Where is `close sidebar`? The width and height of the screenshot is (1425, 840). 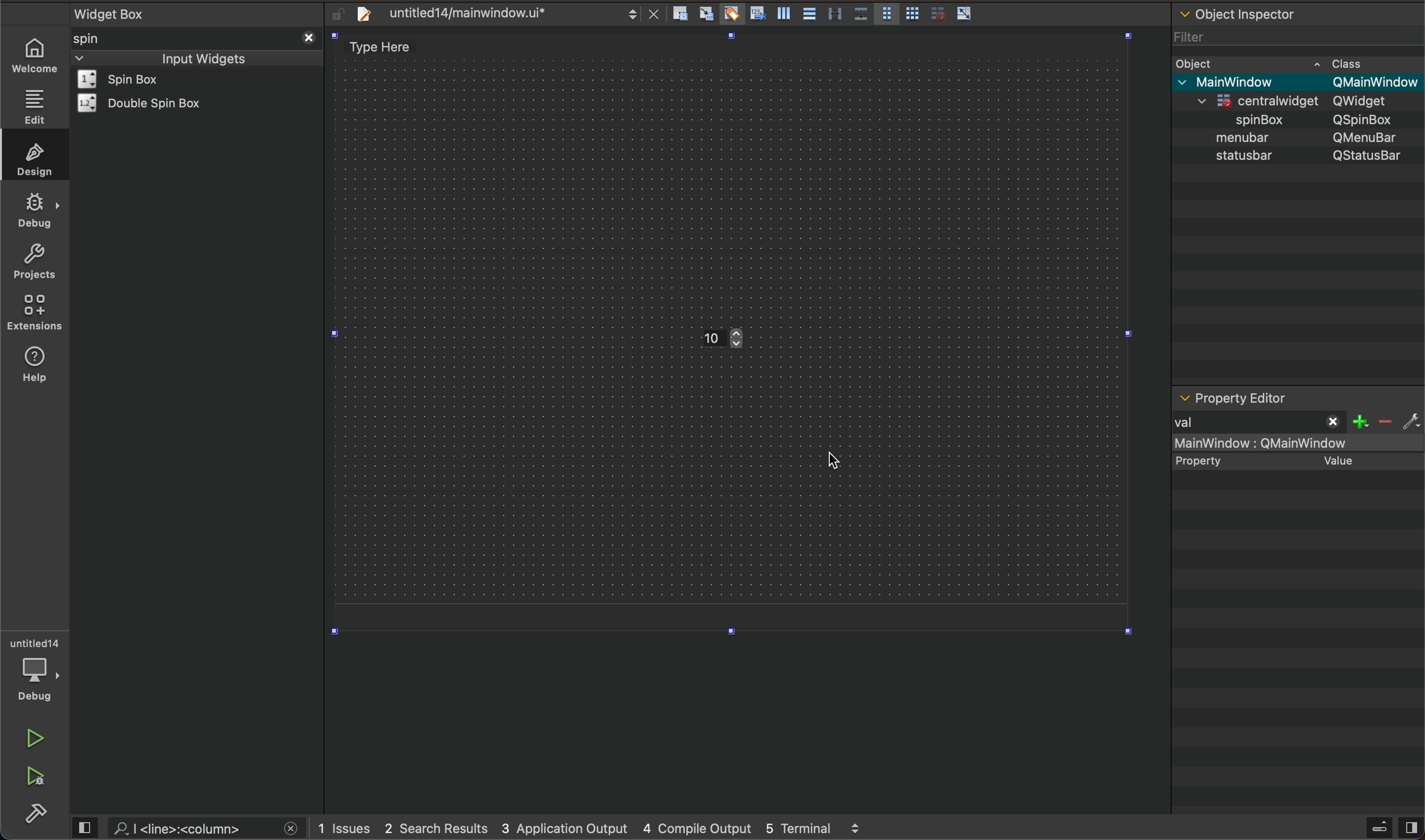
close sidebar is located at coordinates (1392, 828).